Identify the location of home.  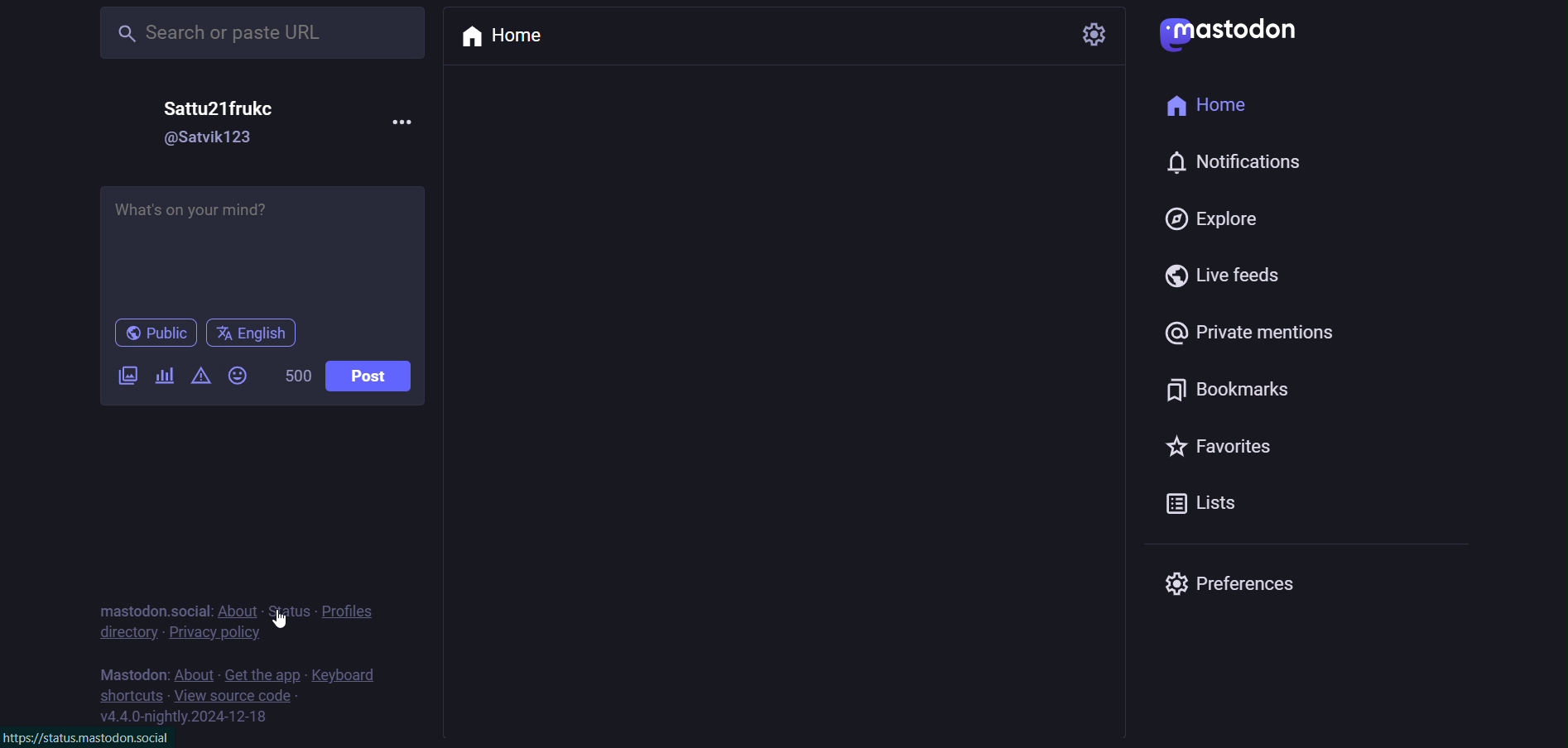
(503, 39).